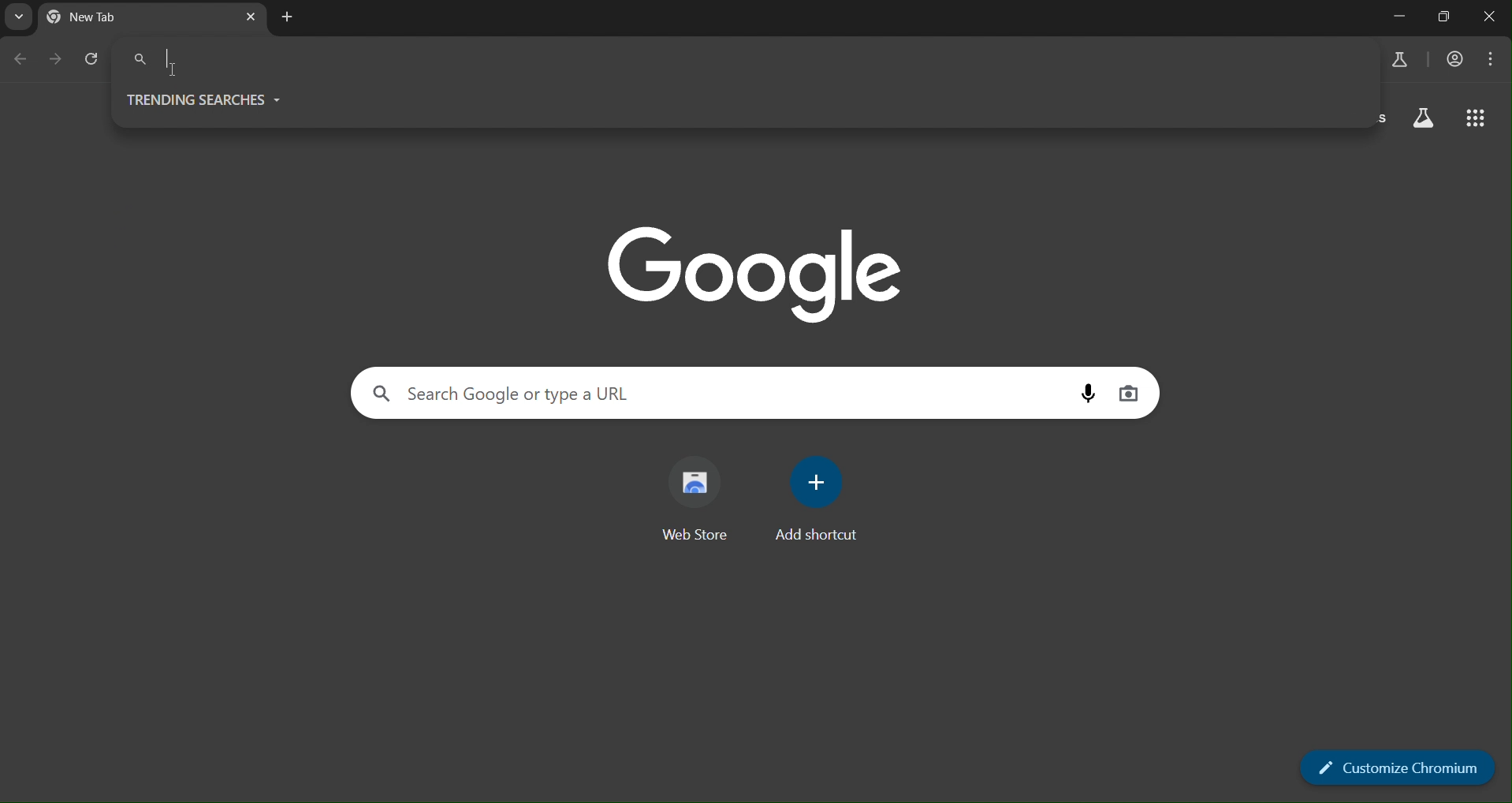 Image resolution: width=1512 pixels, height=803 pixels. I want to click on go back one page, so click(22, 62).